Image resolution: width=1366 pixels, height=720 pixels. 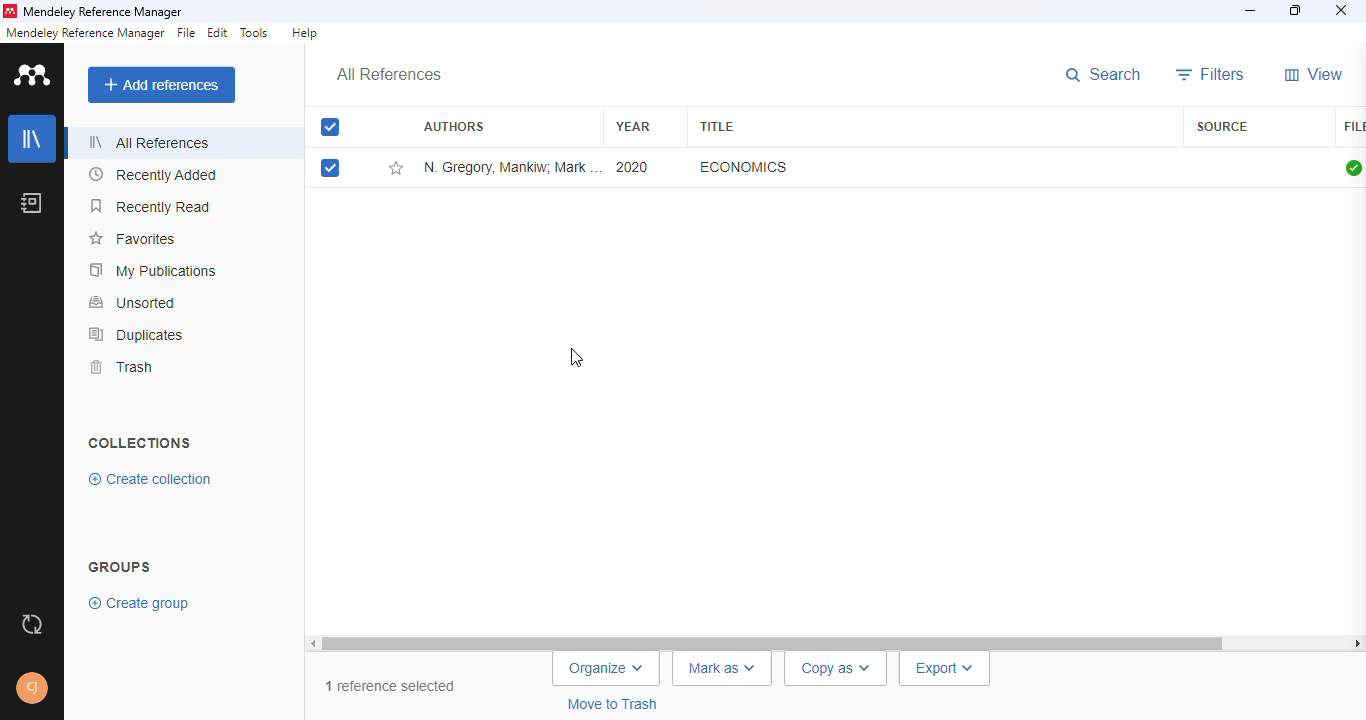 I want to click on view, so click(x=1314, y=74).